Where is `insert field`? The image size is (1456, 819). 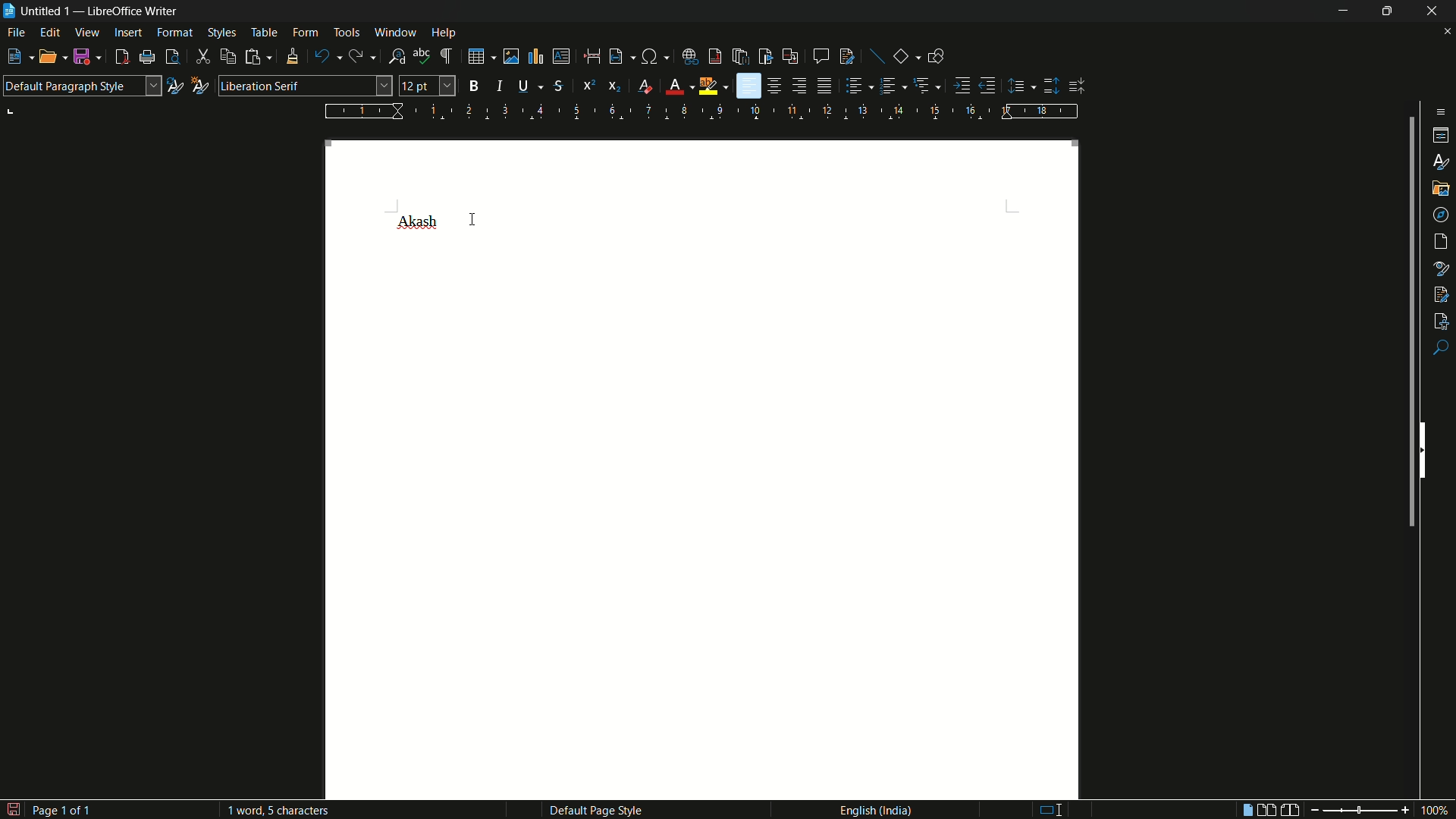
insert field is located at coordinates (615, 57).